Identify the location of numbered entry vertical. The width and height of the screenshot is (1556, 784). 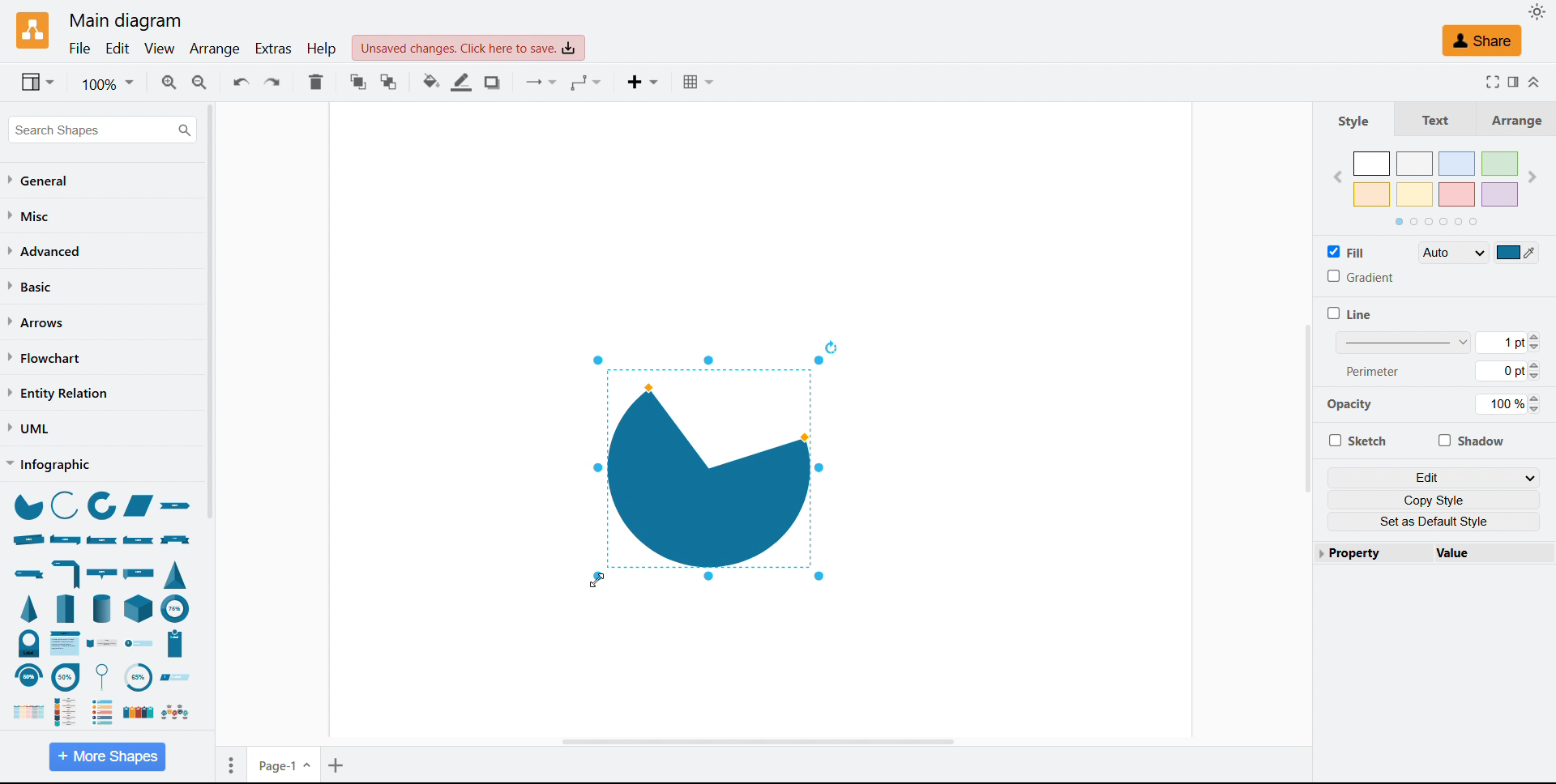
(176, 644).